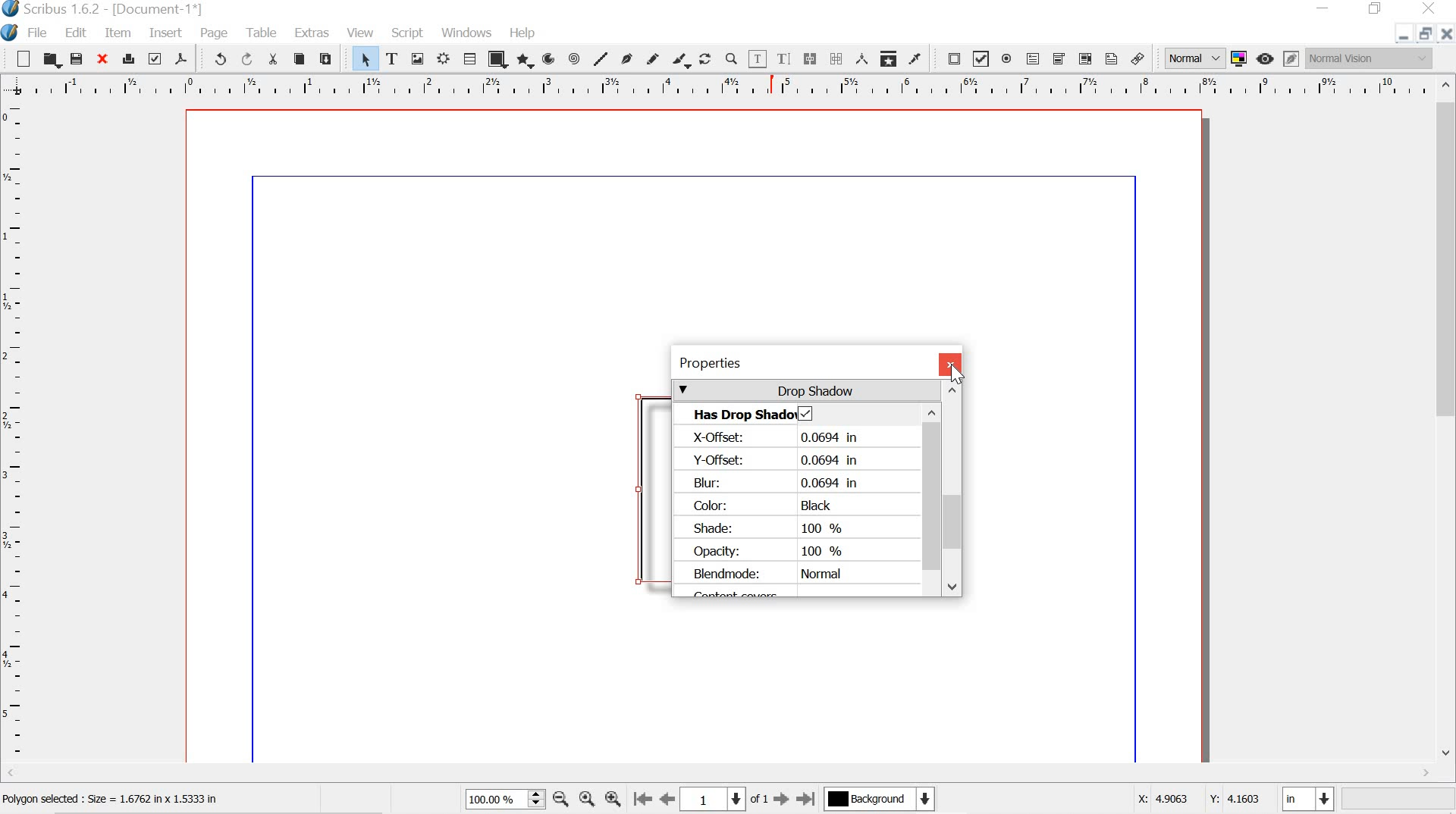 The image size is (1456, 814). Describe the element at coordinates (1056, 58) in the screenshot. I see `pdf combo box` at that location.